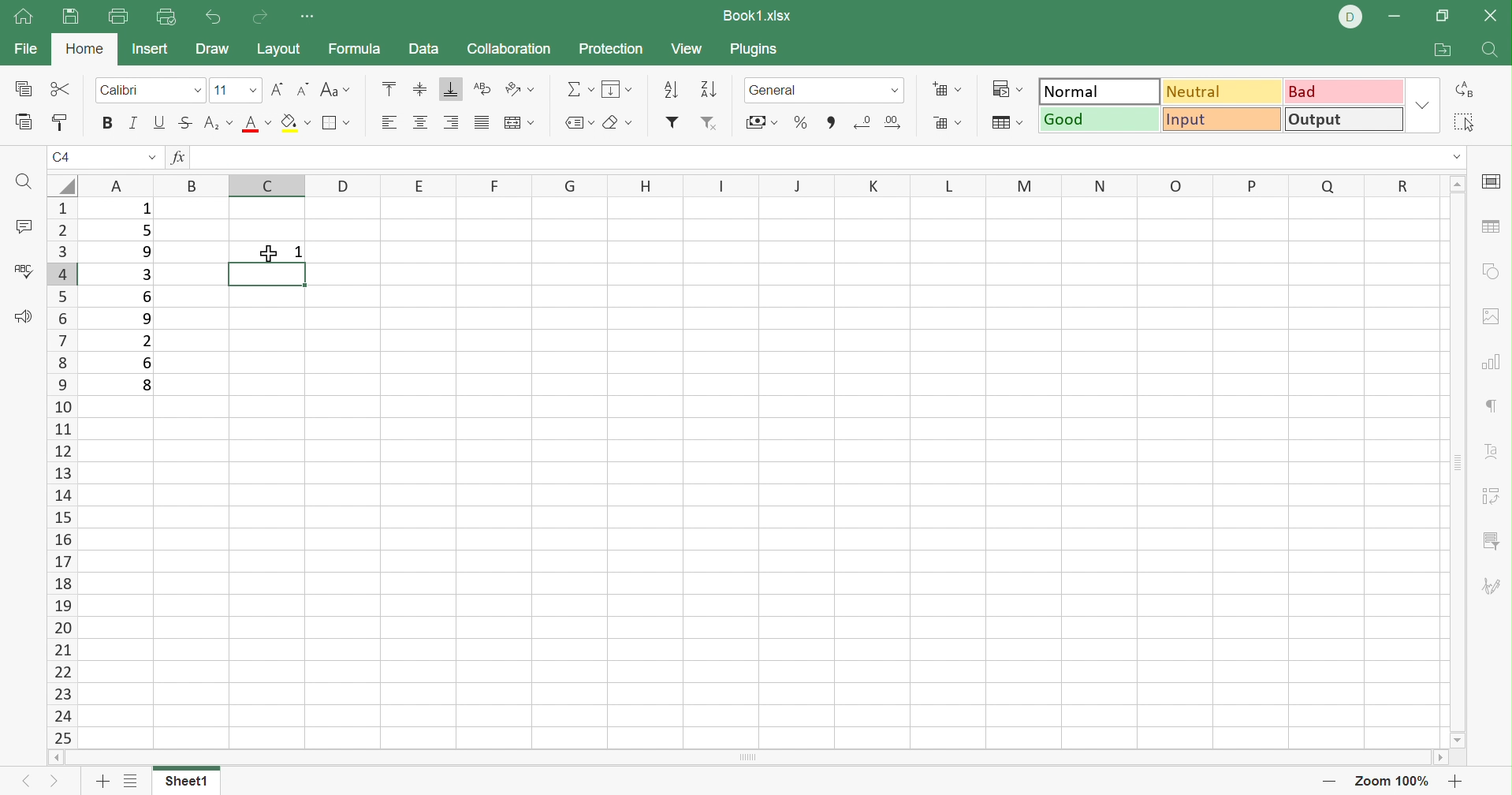 Image resolution: width=1512 pixels, height=795 pixels. What do you see at coordinates (149, 274) in the screenshot?
I see `3` at bounding box center [149, 274].